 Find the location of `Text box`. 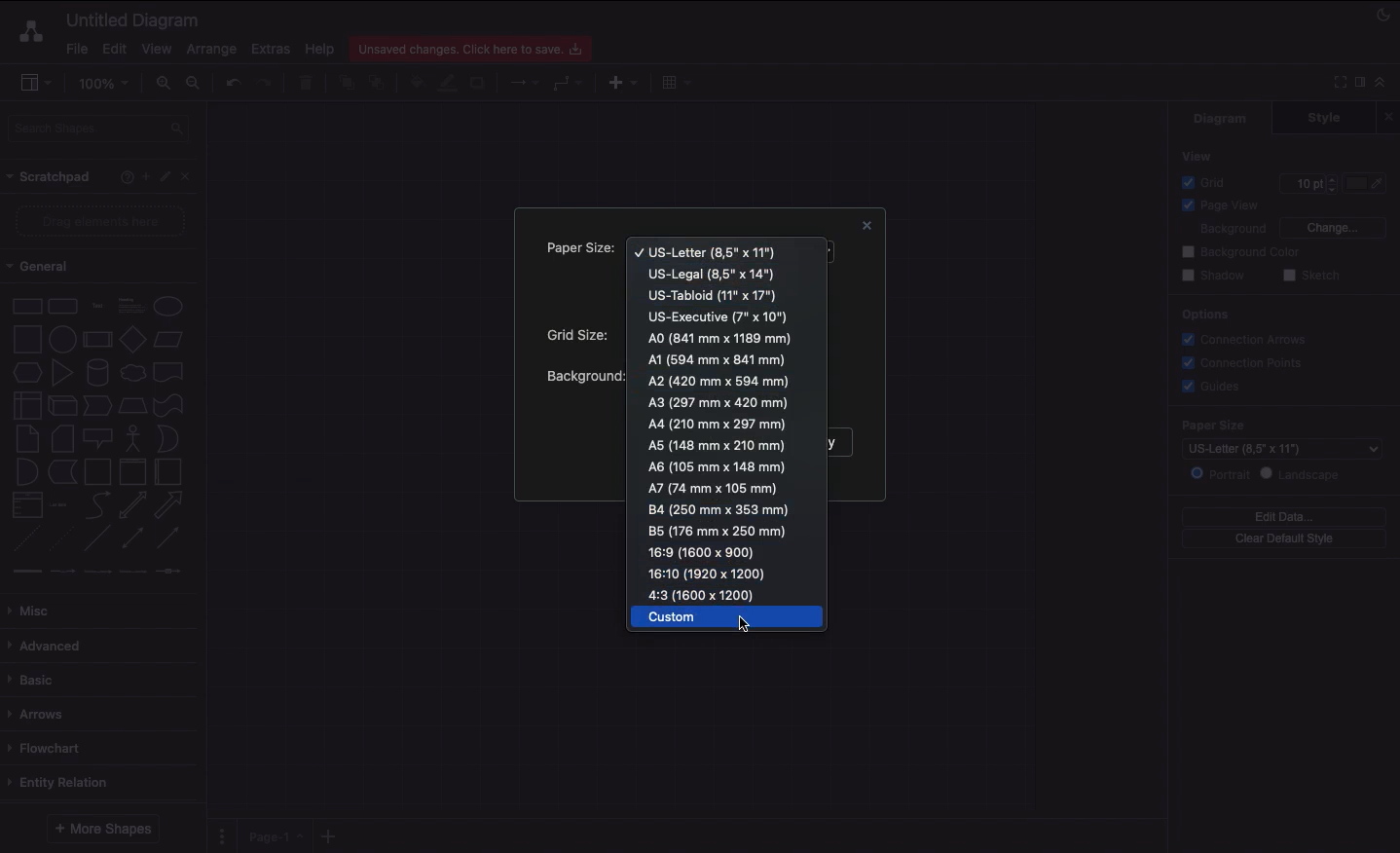

Text box is located at coordinates (129, 306).